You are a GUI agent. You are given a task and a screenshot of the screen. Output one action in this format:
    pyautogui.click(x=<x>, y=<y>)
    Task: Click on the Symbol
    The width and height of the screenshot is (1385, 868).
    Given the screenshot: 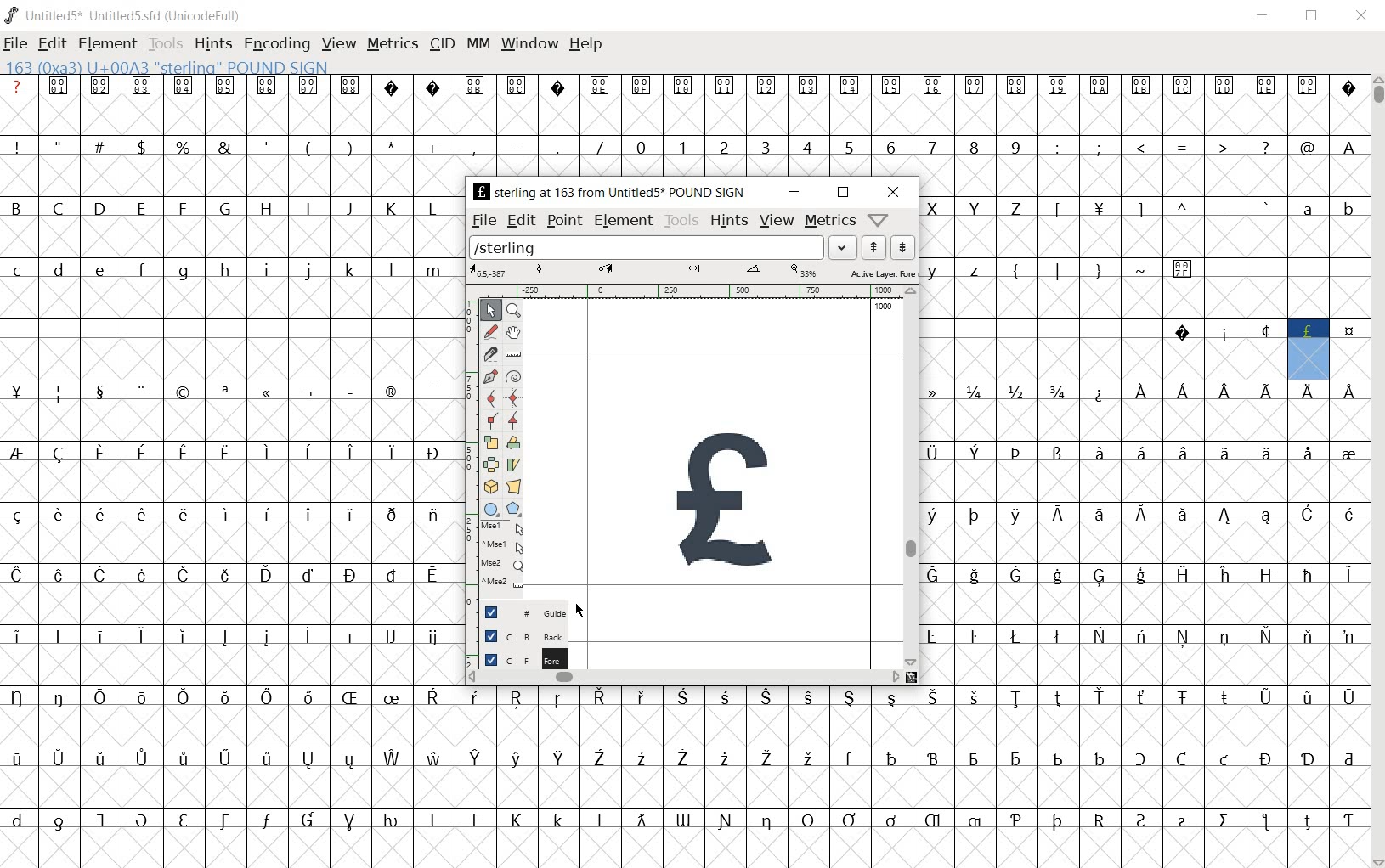 What is the action you would take?
    pyautogui.click(x=100, y=760)
    